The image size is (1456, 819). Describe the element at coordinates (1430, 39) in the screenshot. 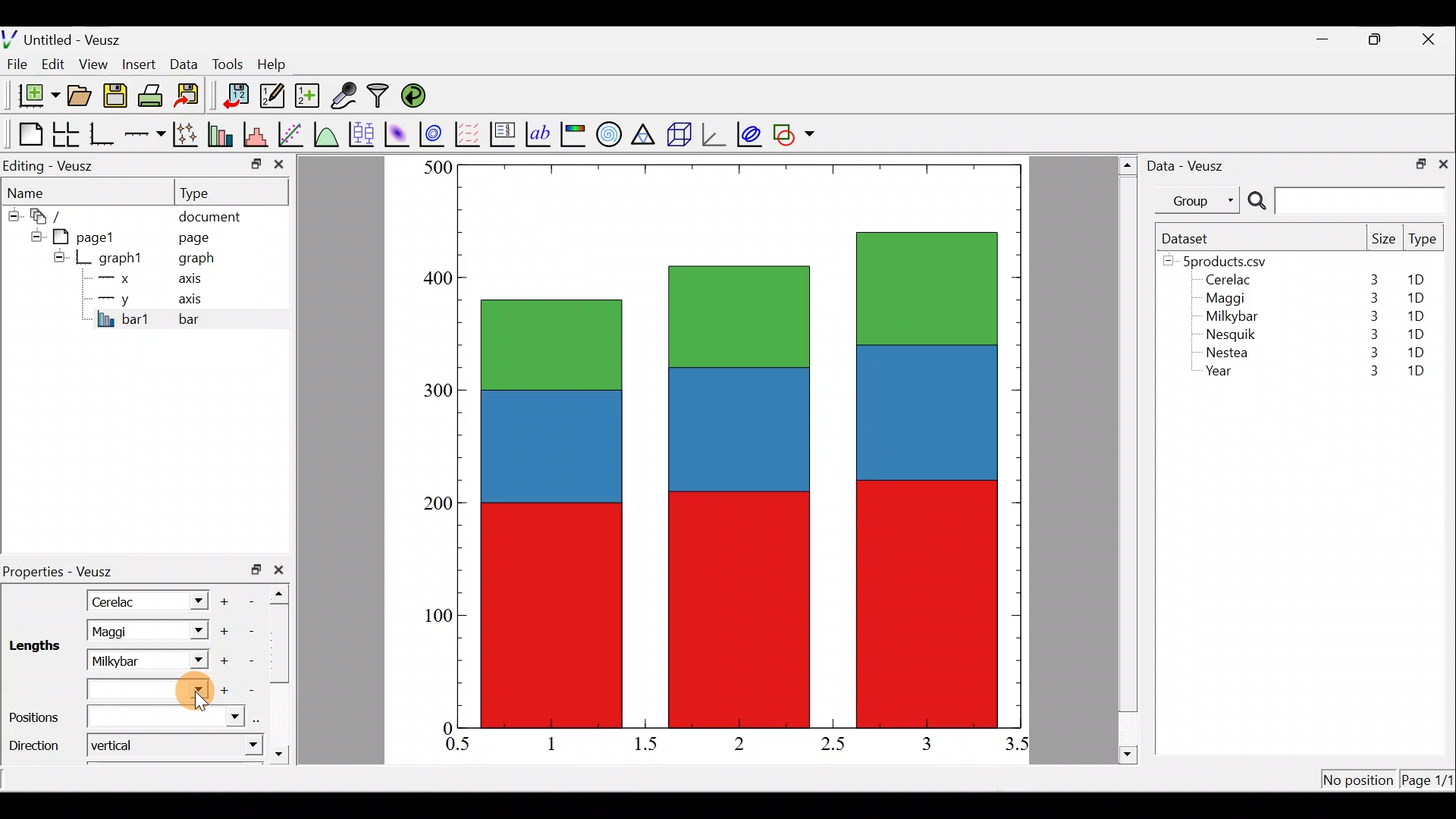

I see `close` at that location.